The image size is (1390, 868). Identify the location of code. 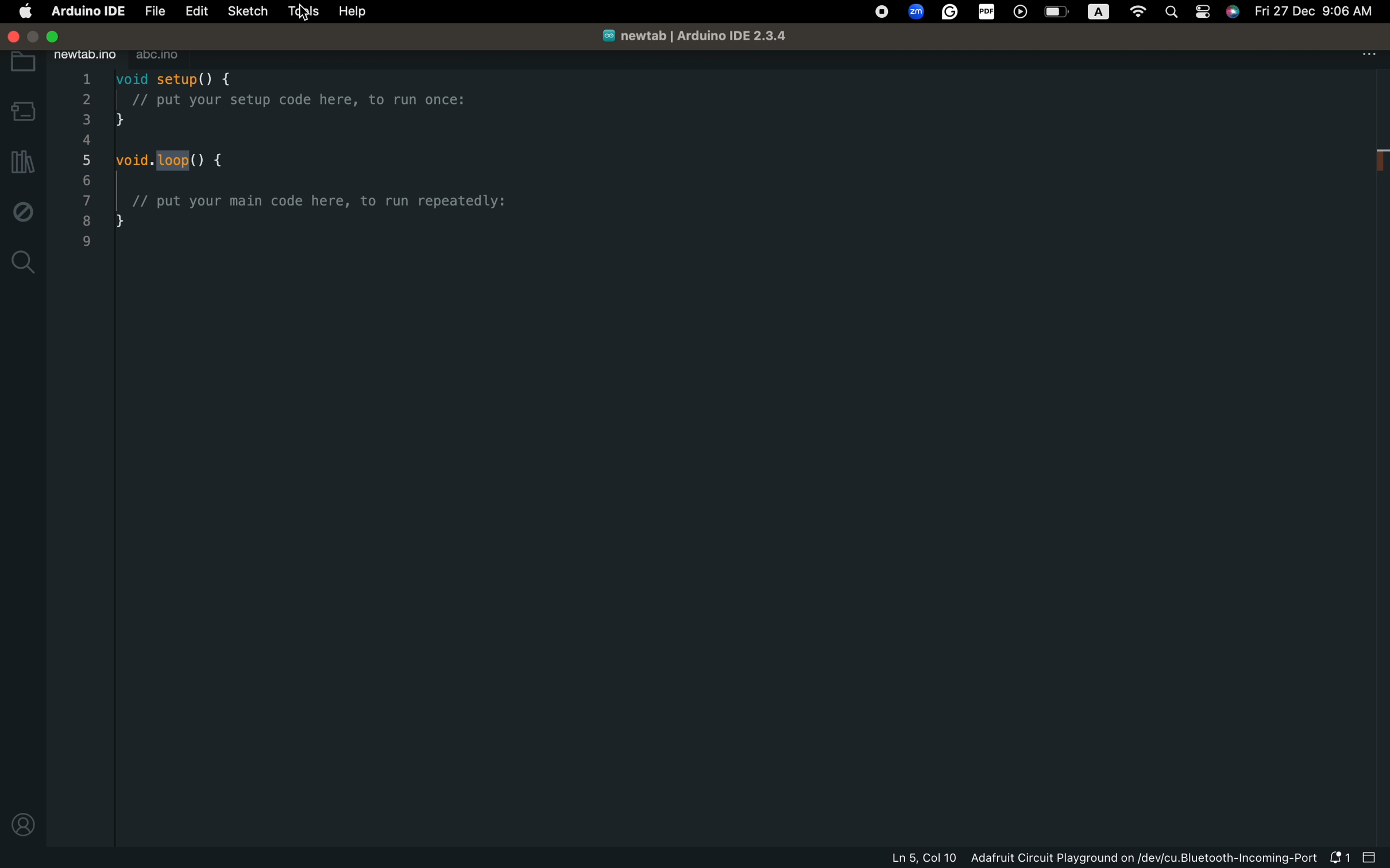
(337, 169).